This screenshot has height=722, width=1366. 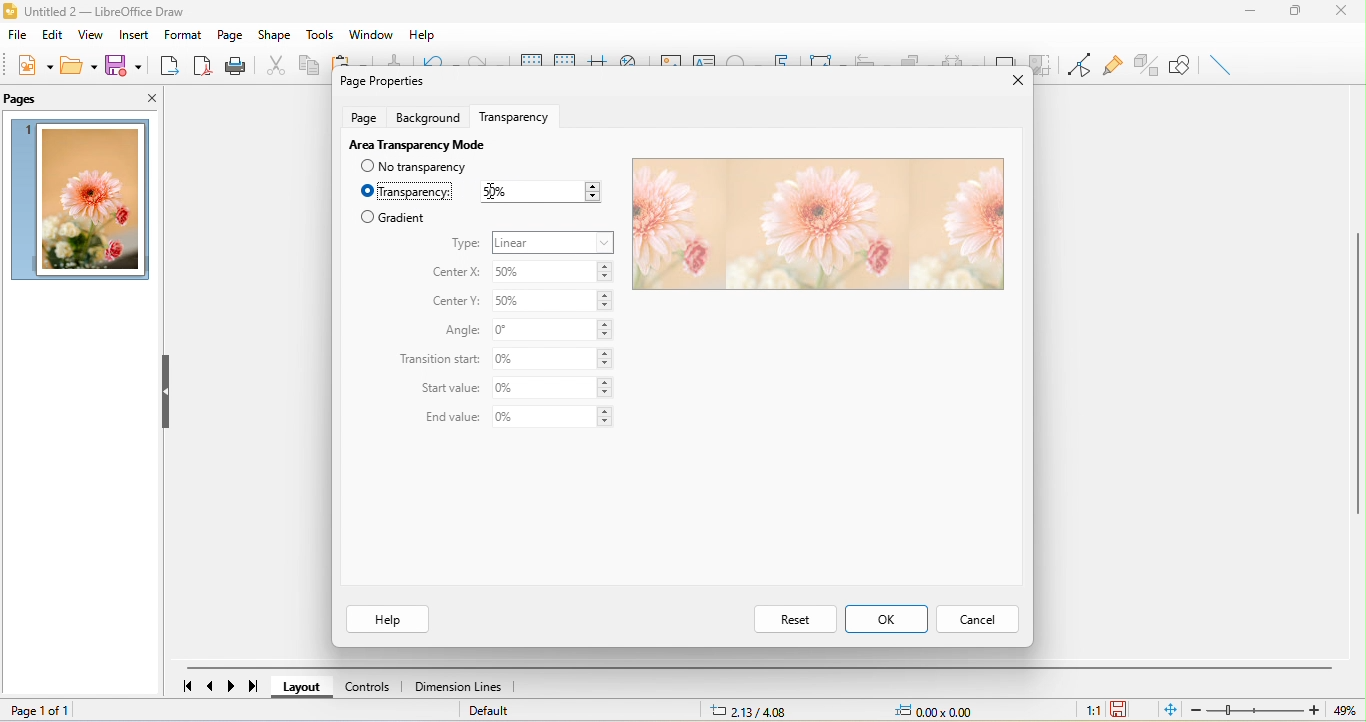 What do you see at coordinates (440, 360) in the screenshot?
I see `transition start` at bounding box center [440, 360].